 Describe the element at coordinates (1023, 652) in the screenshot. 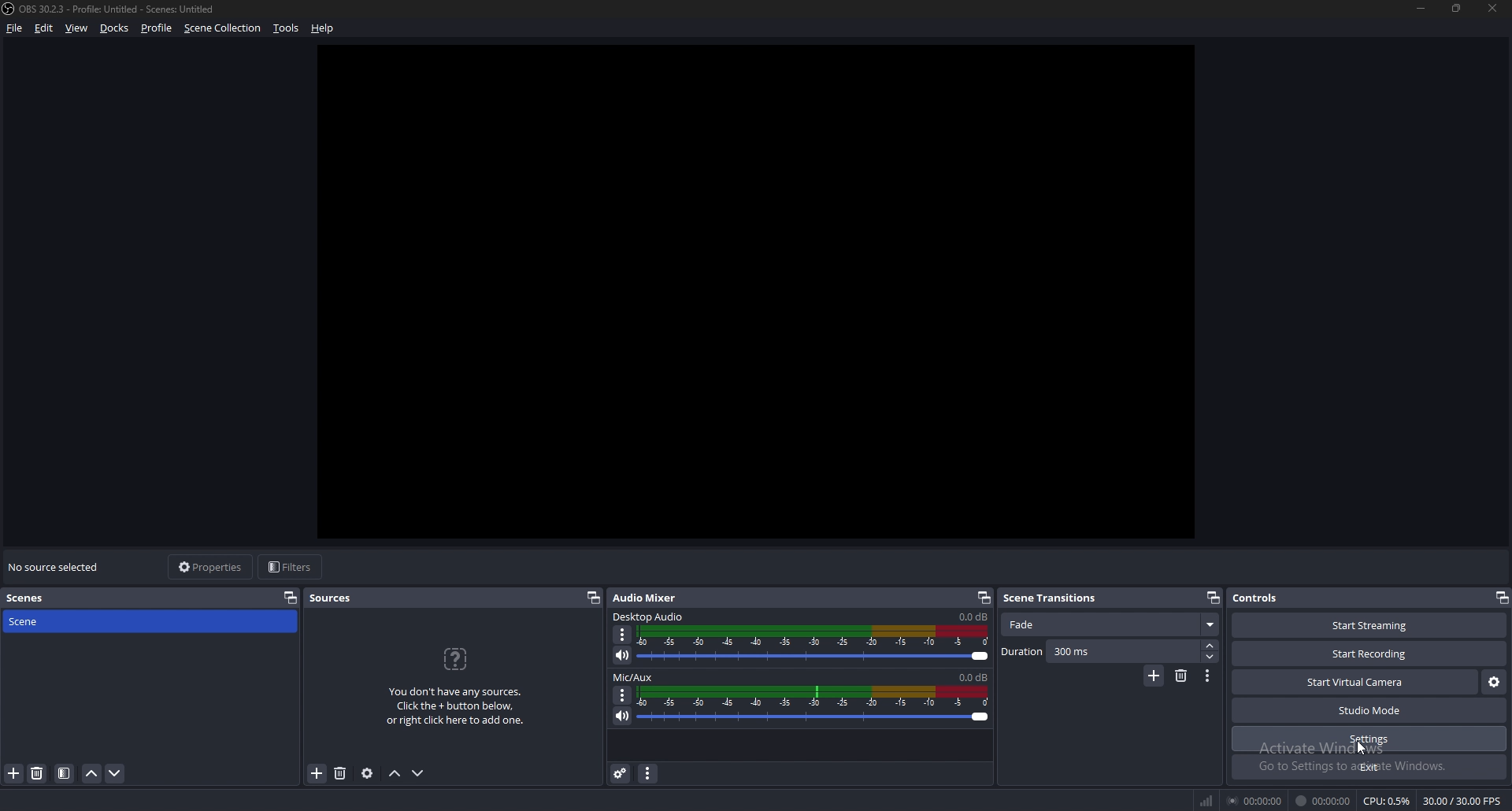

I see `duration` at that location.